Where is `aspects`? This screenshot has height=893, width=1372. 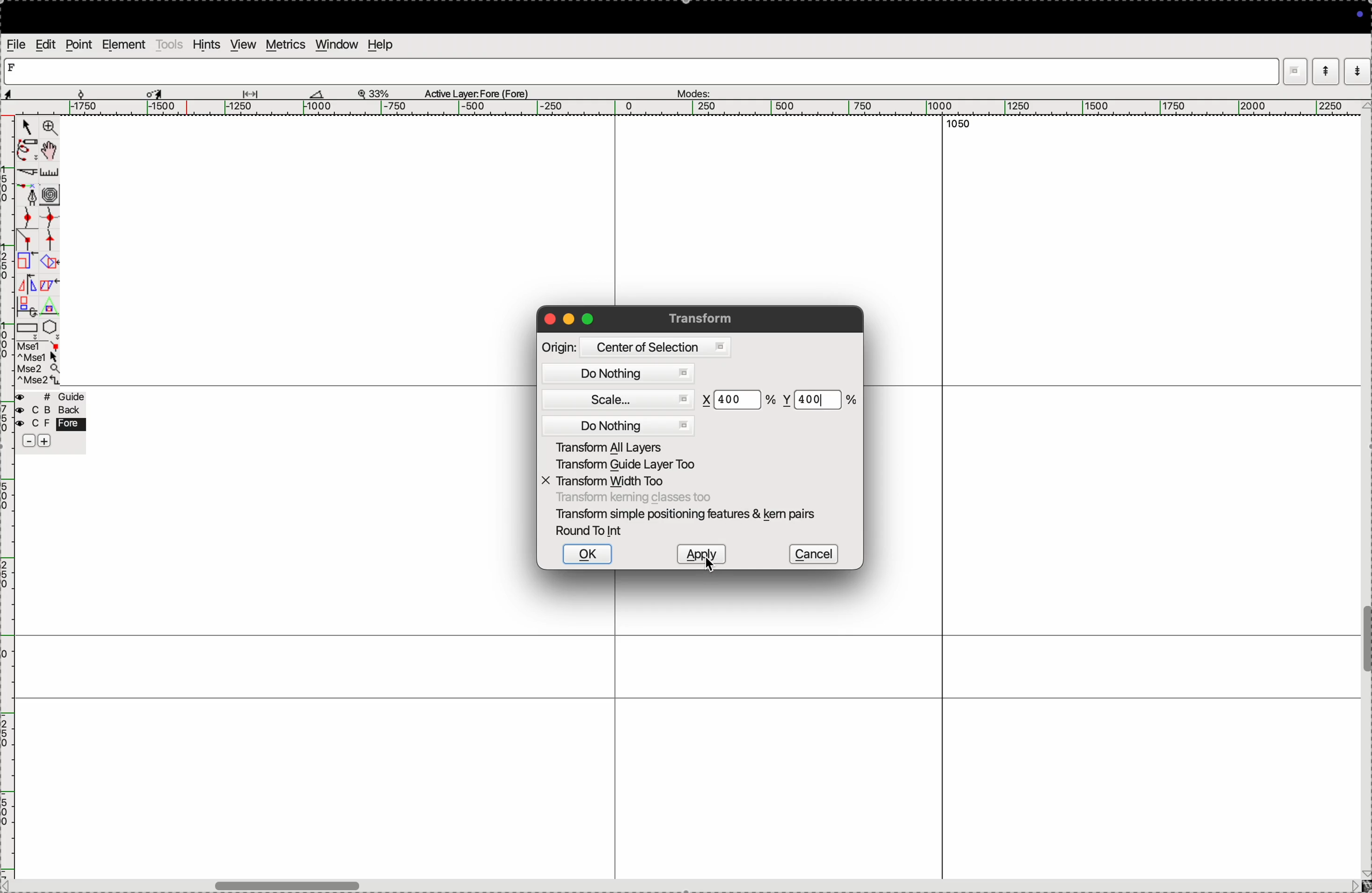 aspects is located at coordinates (42, 91).